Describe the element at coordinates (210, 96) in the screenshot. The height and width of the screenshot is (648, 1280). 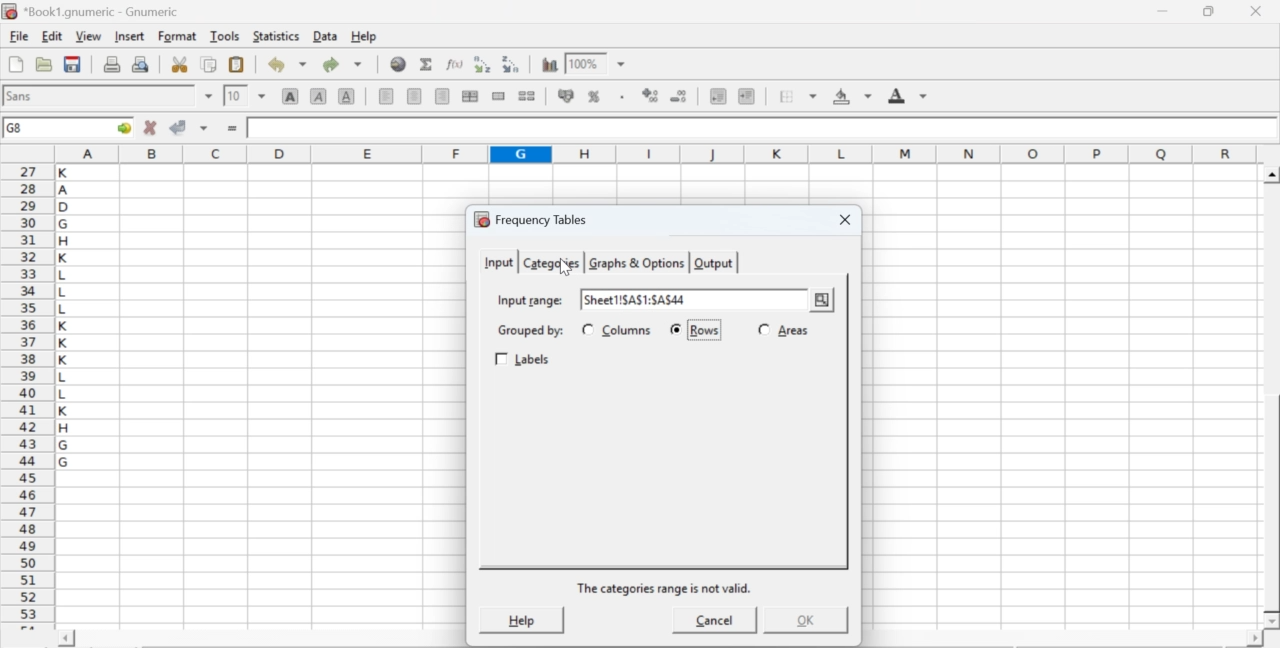
I see `drop down` at that location.